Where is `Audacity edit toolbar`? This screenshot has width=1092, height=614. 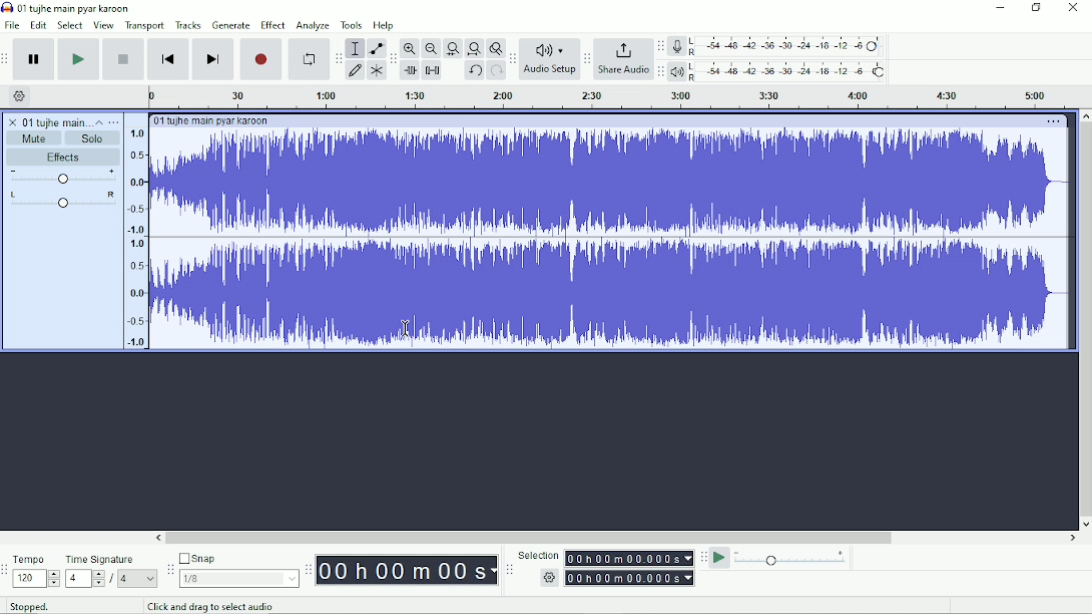
Audacity edit toolbar is located at coordinates (392, 60).